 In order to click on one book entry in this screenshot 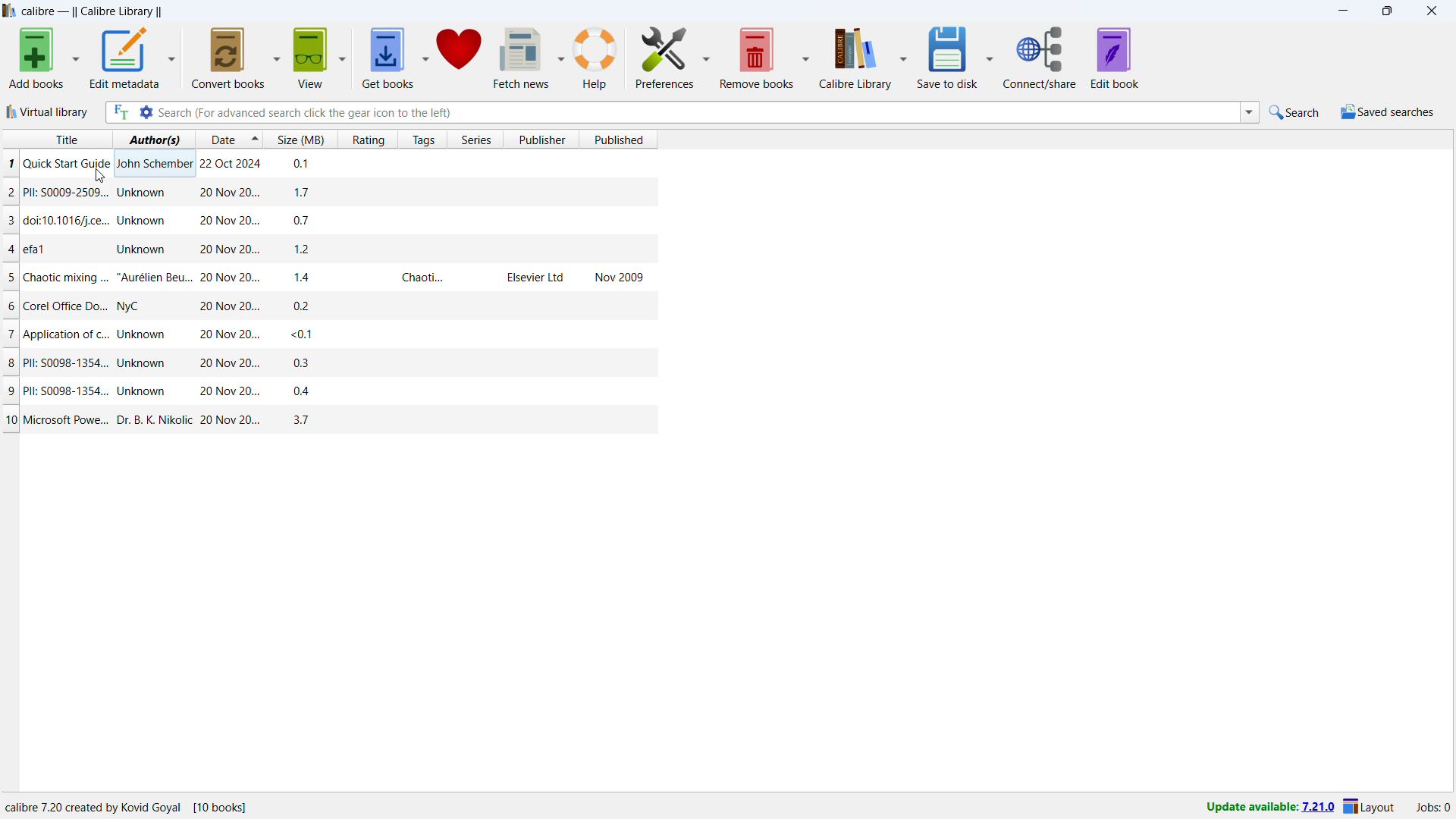, I will do `click(327, 390)`.